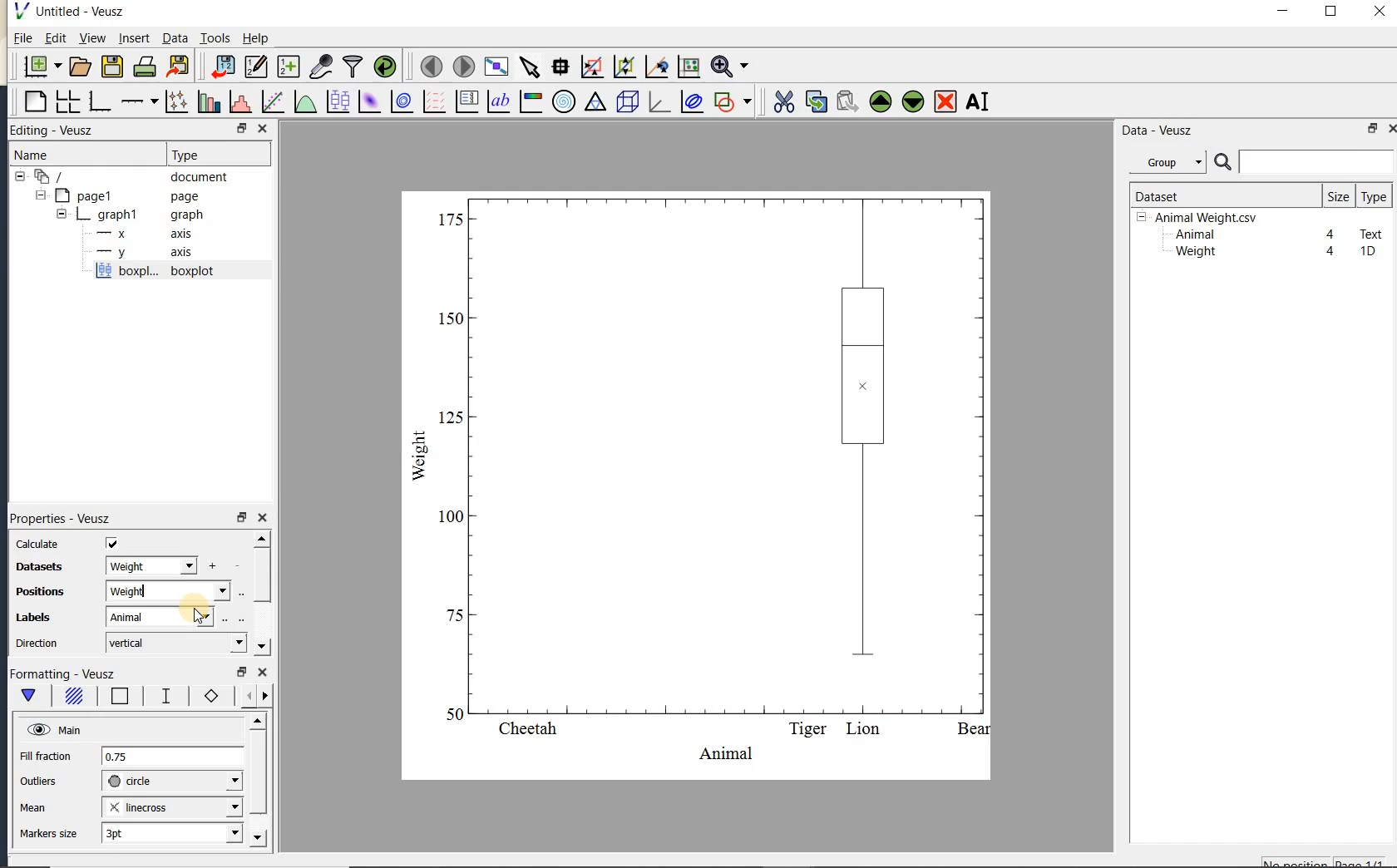 The image size is (1397, 868). What do you see at coordinates (1373, 196) in the screenshot?
I see `type` at bounding box center [1373, 196].